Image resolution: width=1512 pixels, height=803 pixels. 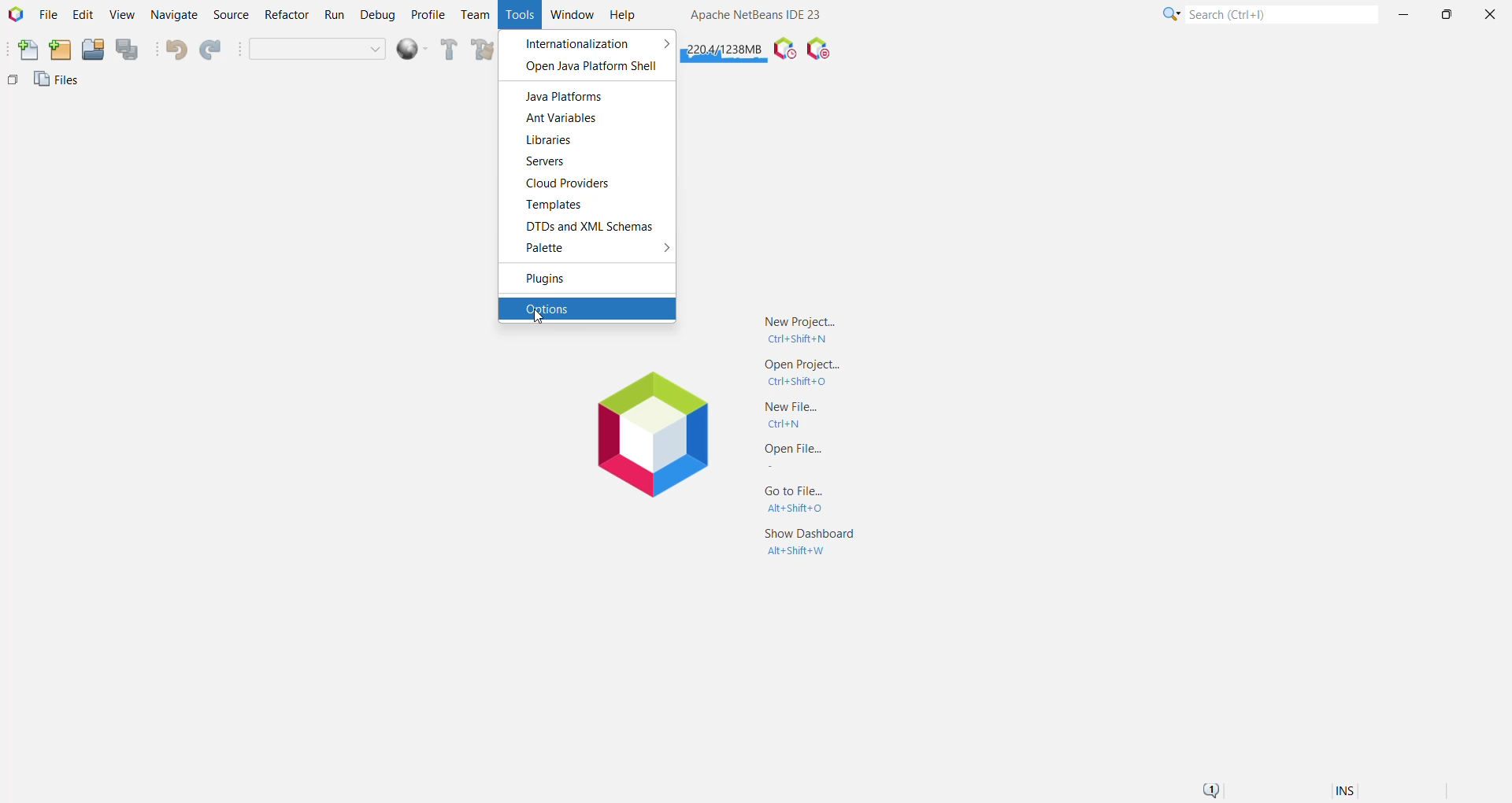 What do you see at coordinates (1169, 13) in the screenshot?
I see `Click or press Shift+F10 for Category Selection` at bounding box center [1169, 13].